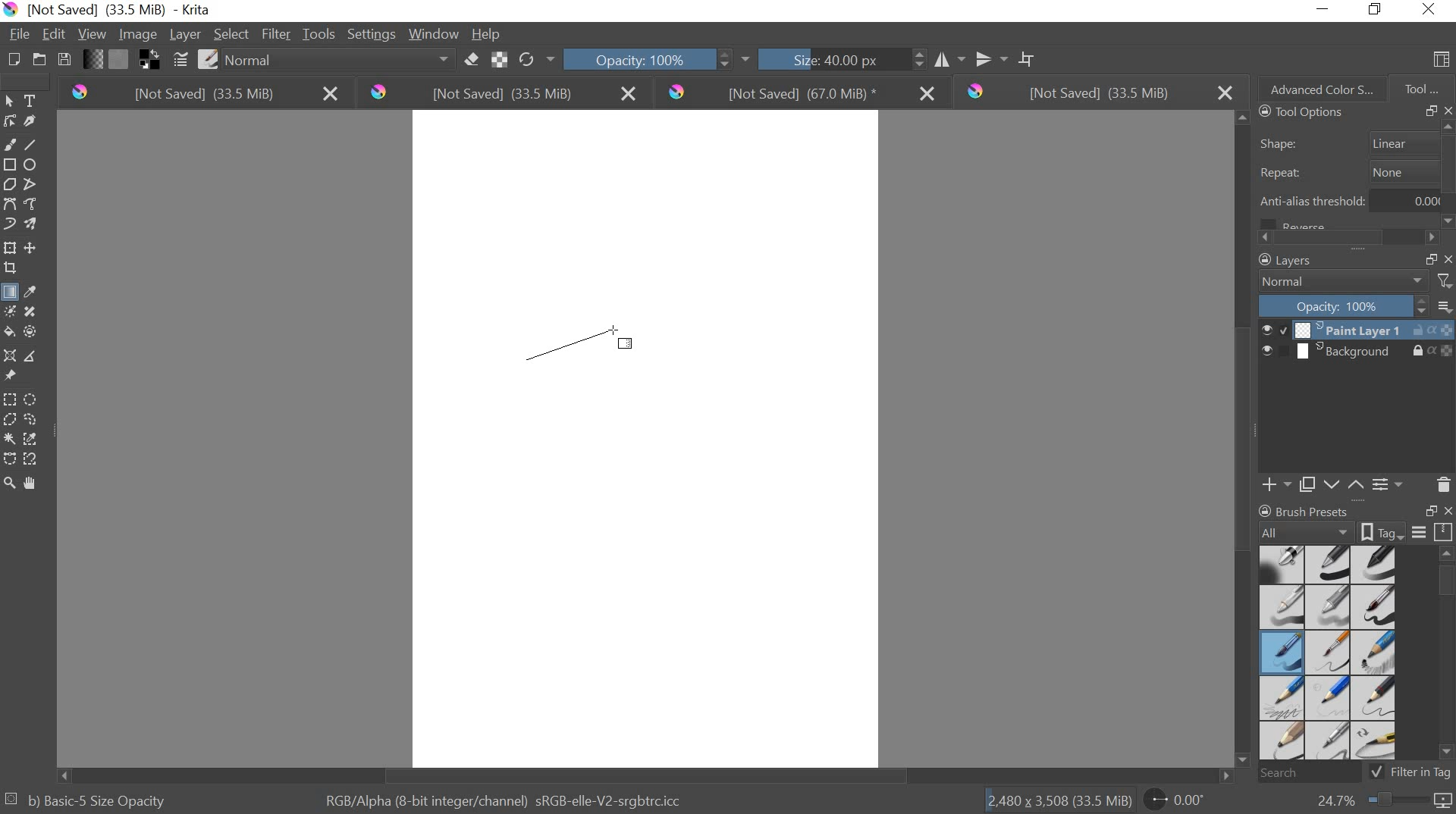  I want to click on OPACITY 100%, so click(648, 58).